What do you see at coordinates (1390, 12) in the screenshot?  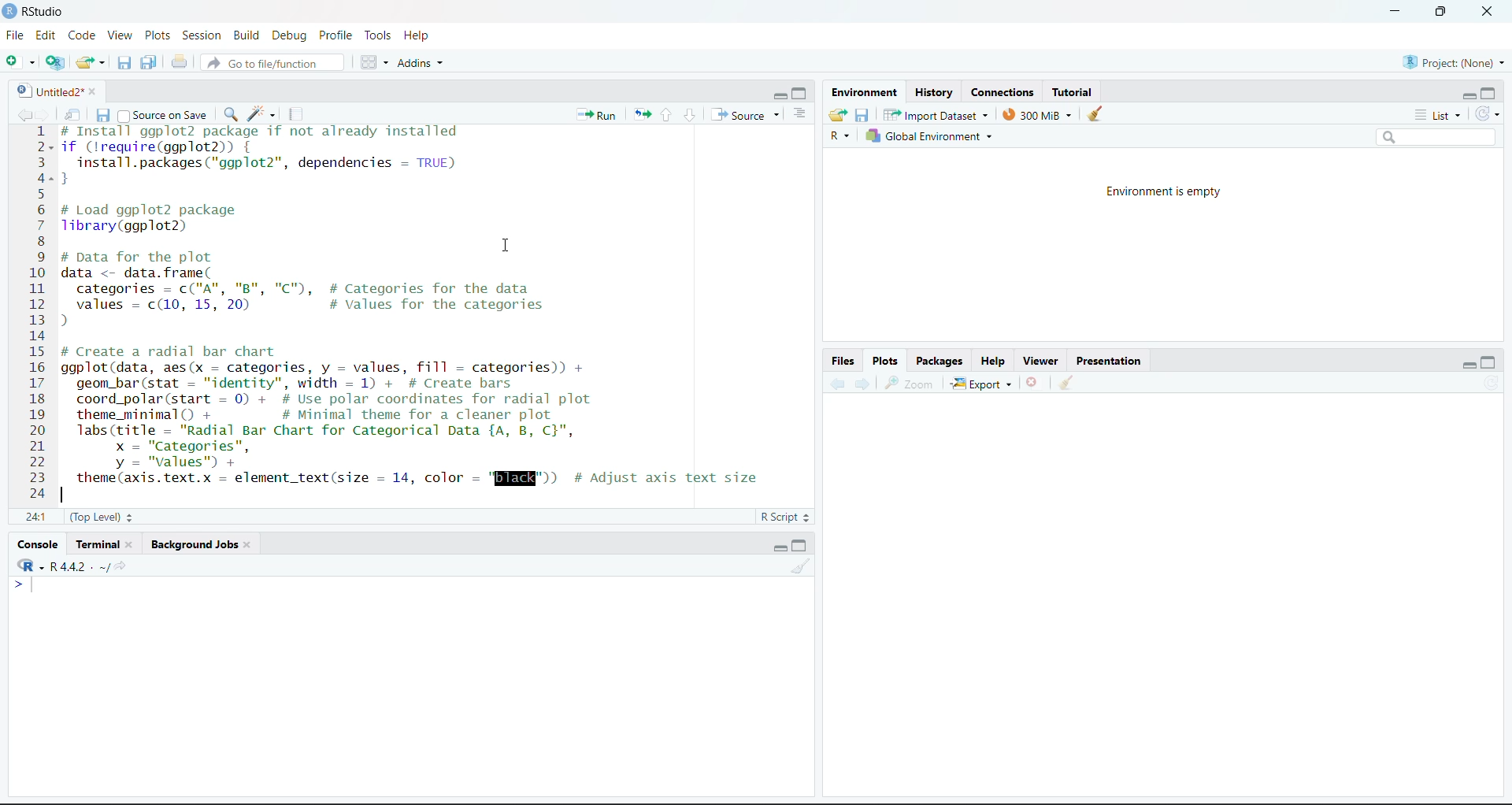 I see `minimize` at bounding box center [1390, 12].